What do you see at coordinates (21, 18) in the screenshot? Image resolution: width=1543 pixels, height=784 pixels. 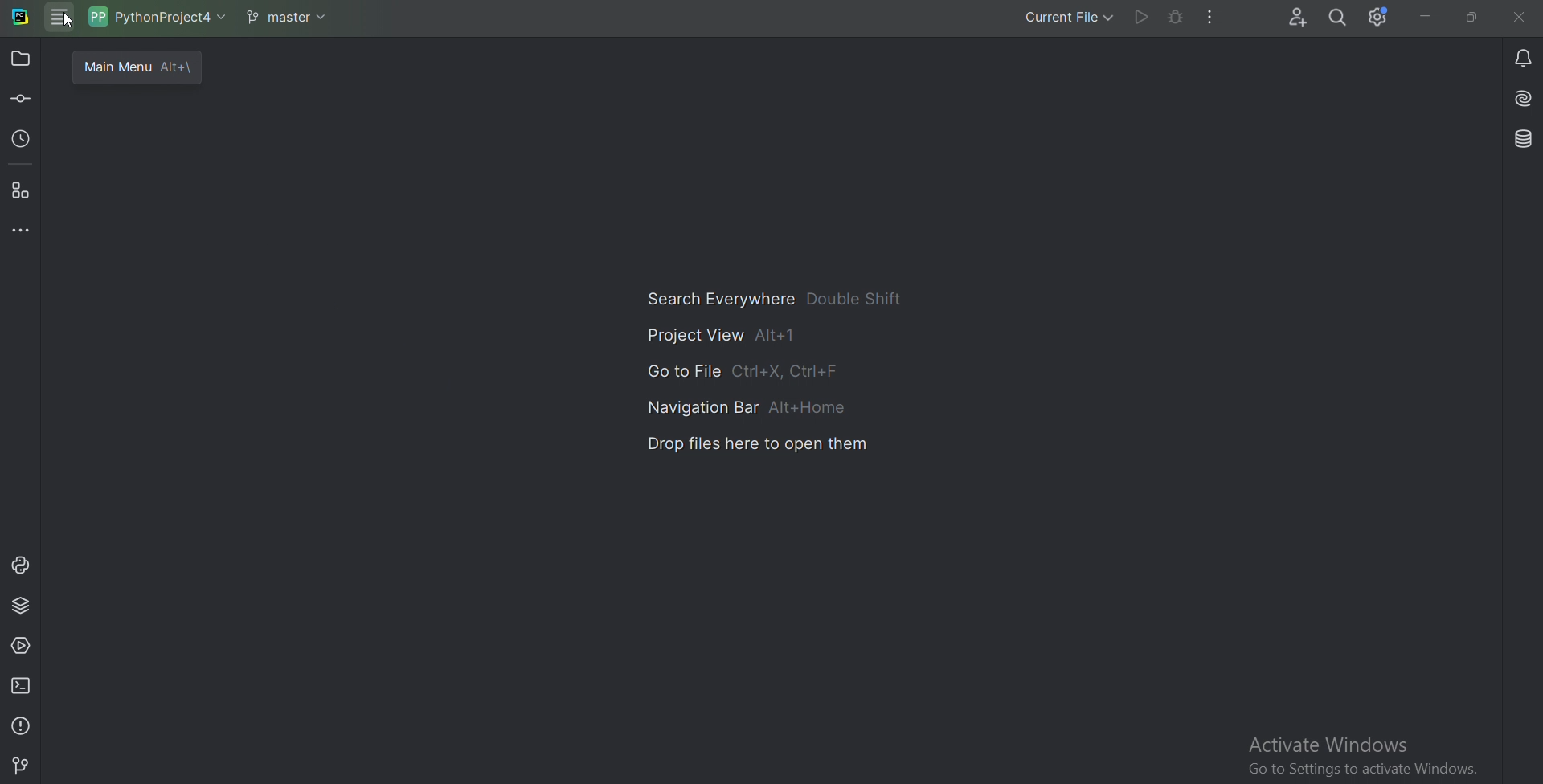 I see `Pycharm` at bounding box center [21, 18].